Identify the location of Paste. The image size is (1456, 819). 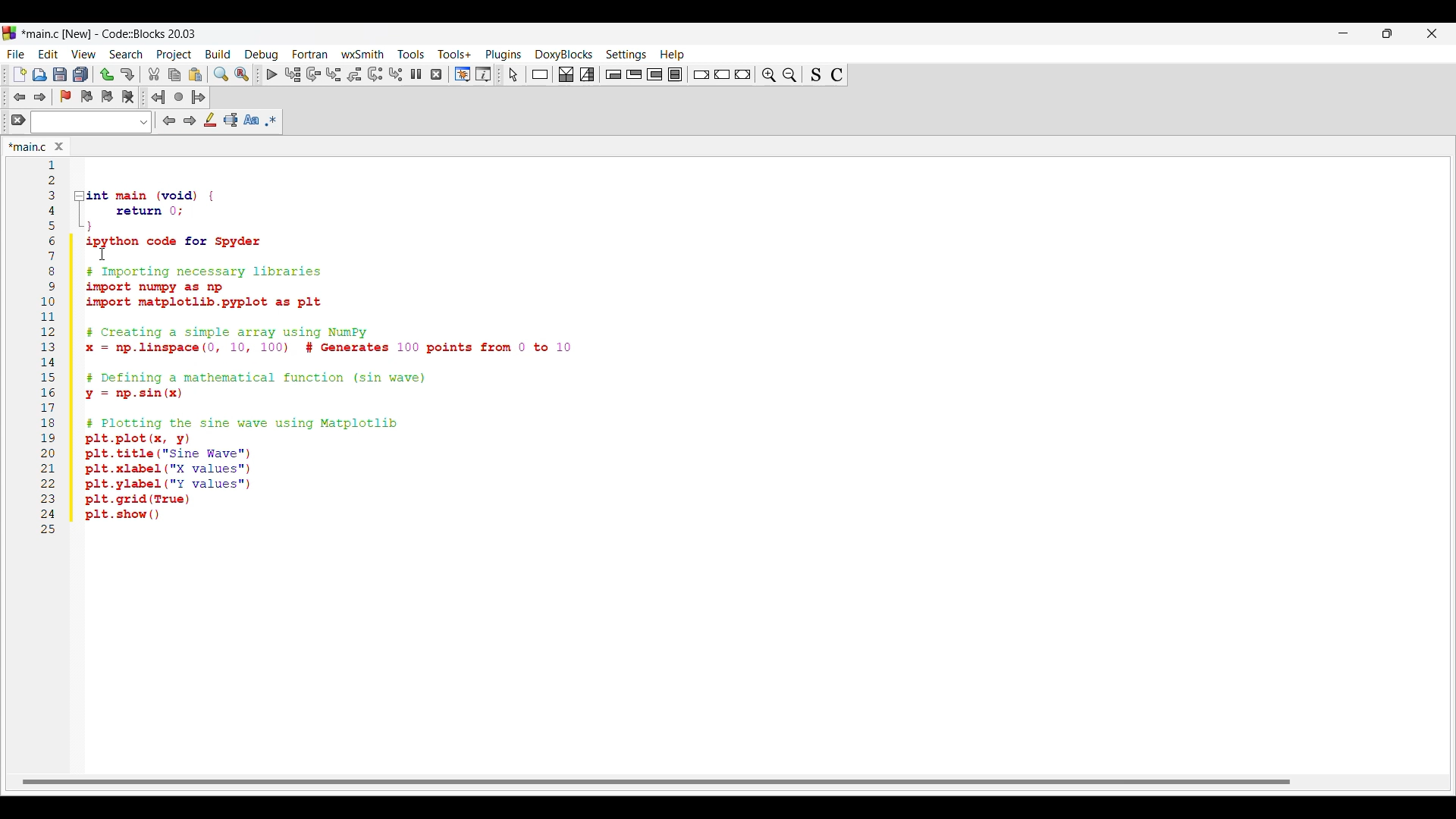
(196, 74).